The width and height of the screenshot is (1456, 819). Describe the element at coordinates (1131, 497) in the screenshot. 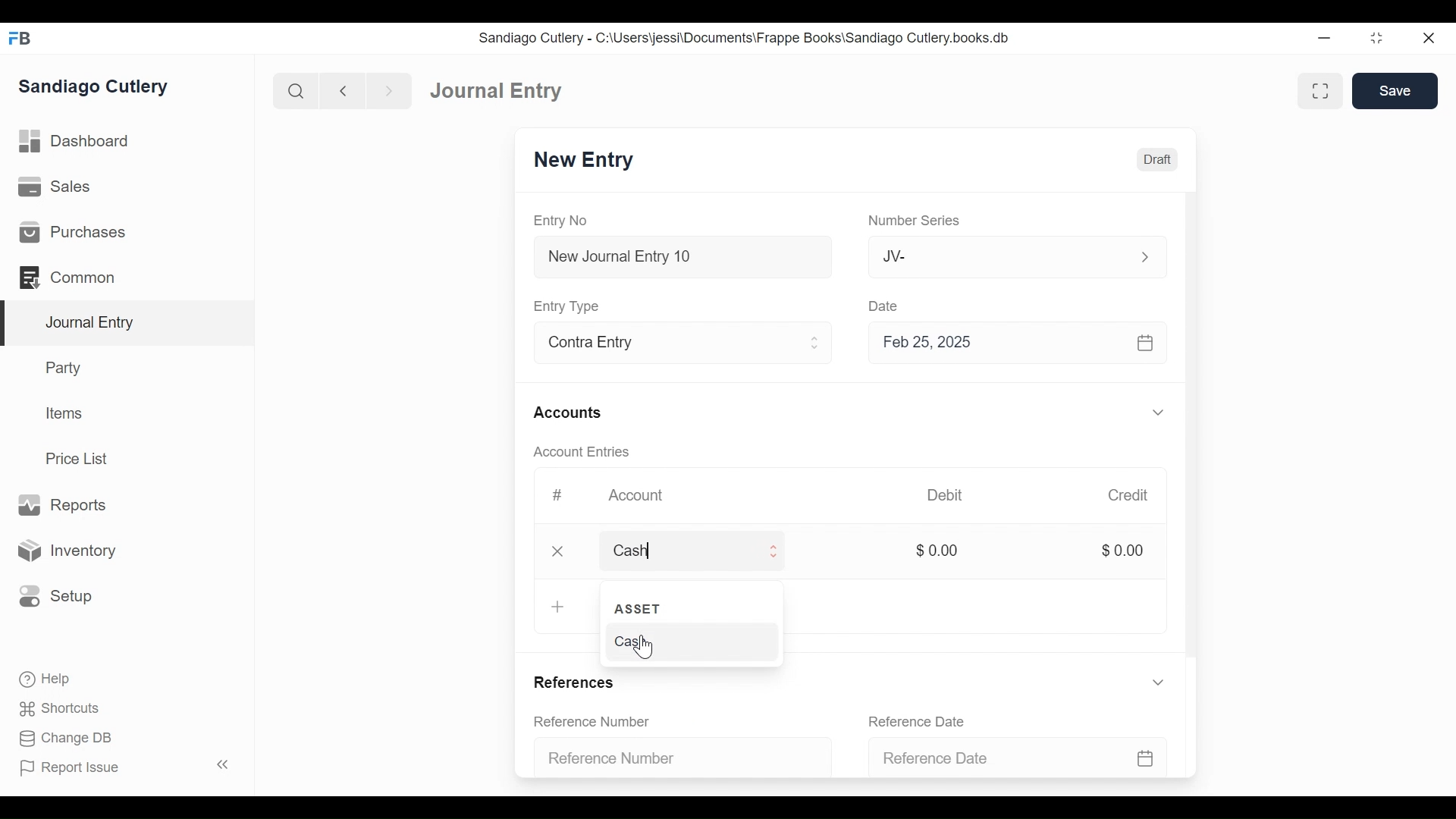

I see `Credit` at that location.